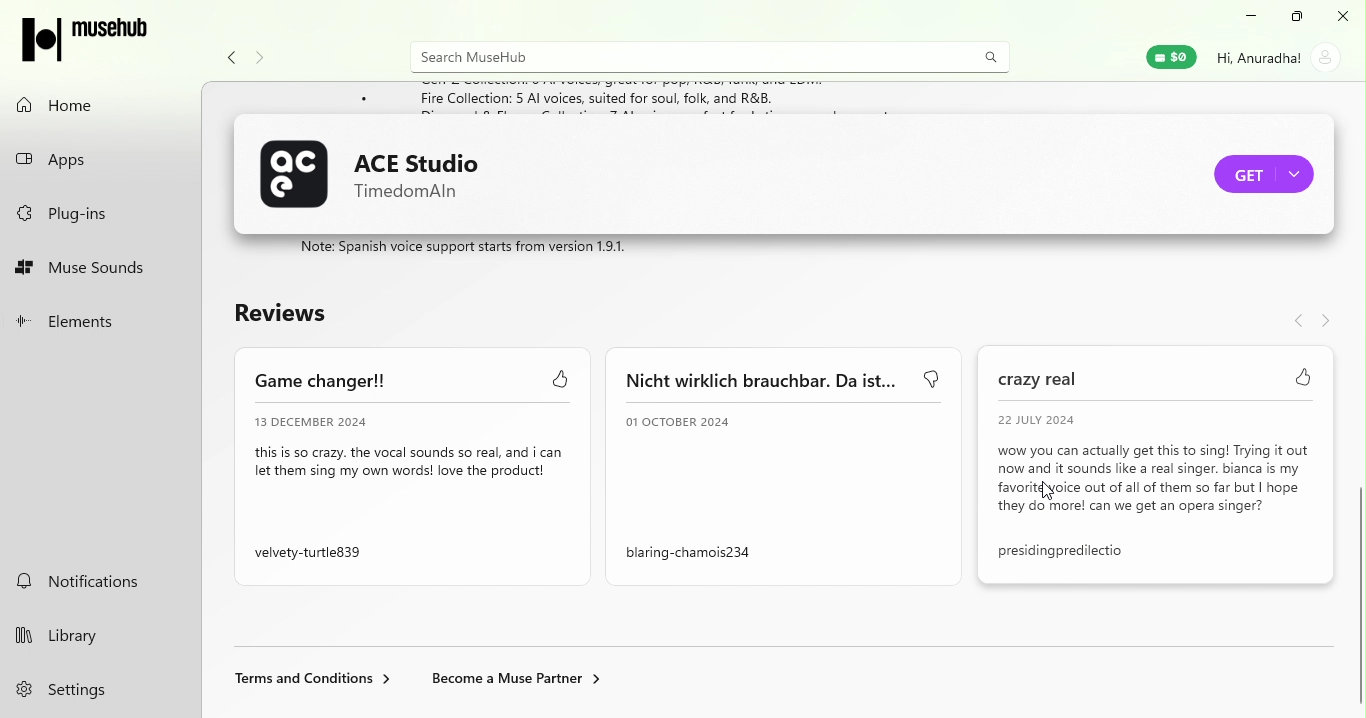  What do you see at coordinates (80, 636) in the screenshot?
I see `library` at bounding box center [80, 636].